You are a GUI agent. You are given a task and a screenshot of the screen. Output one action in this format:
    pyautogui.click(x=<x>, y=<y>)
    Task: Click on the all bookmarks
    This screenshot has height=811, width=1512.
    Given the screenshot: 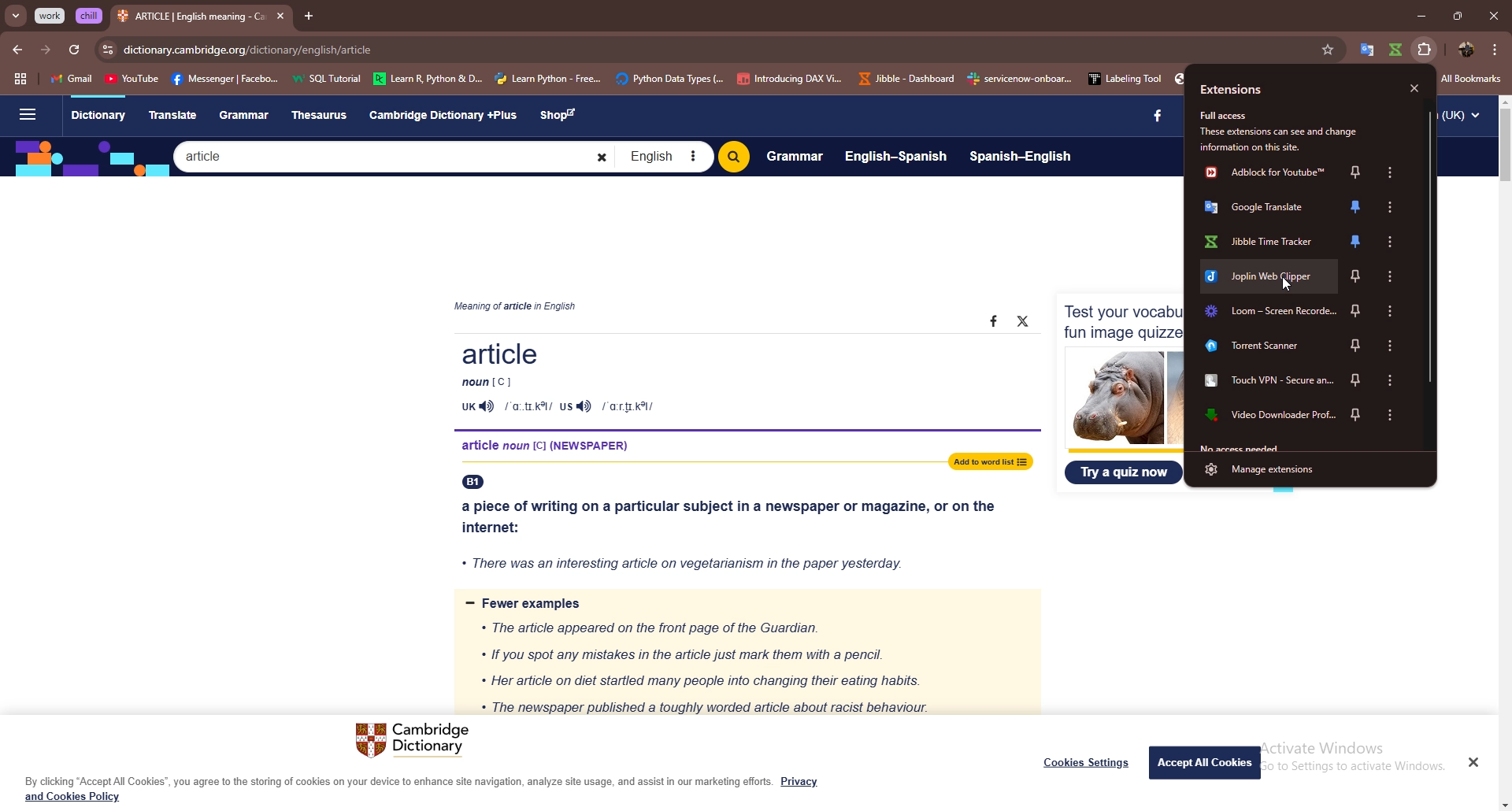 What is the action you would take?
    pyautogui.click(x=1471, y=79)
    